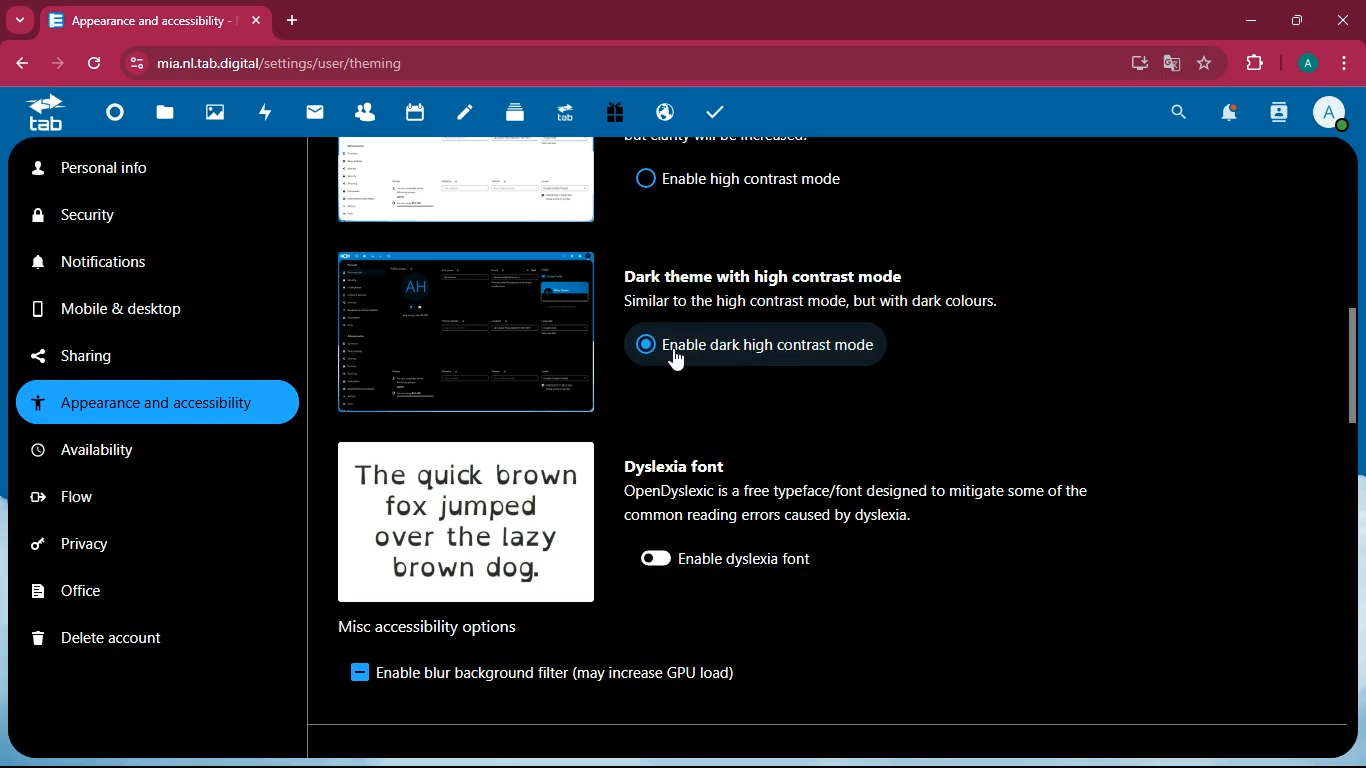 This screenshot has height=768, width=1366. What do you see at coordinates (110, 495) in the screenshot?
I see `flow` at bounding box center [110, 495].